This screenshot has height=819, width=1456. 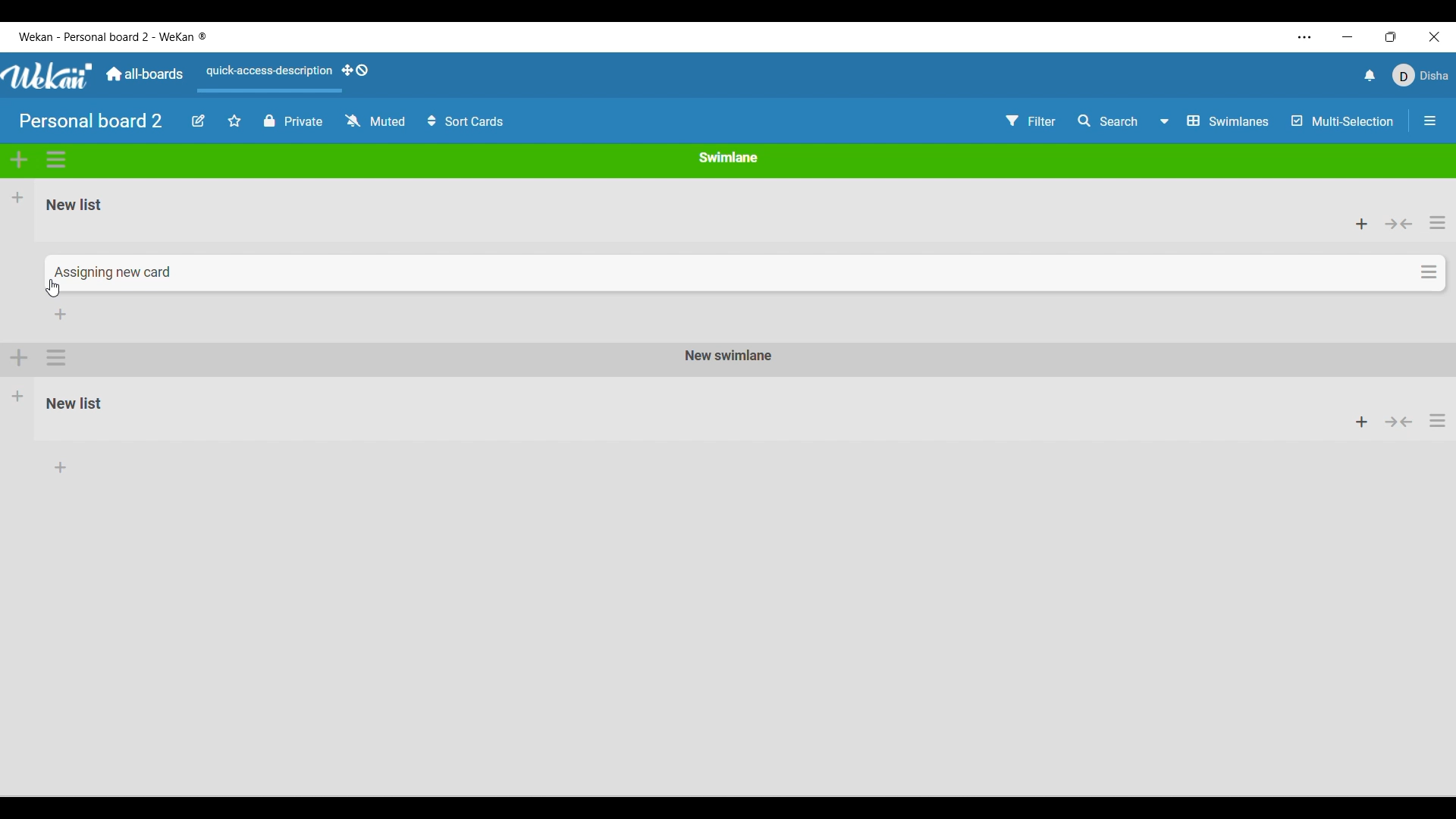 What do you see at coordinates (91, 121) in the screenshot?
I see `Board name` at bounding box center [91, 121].